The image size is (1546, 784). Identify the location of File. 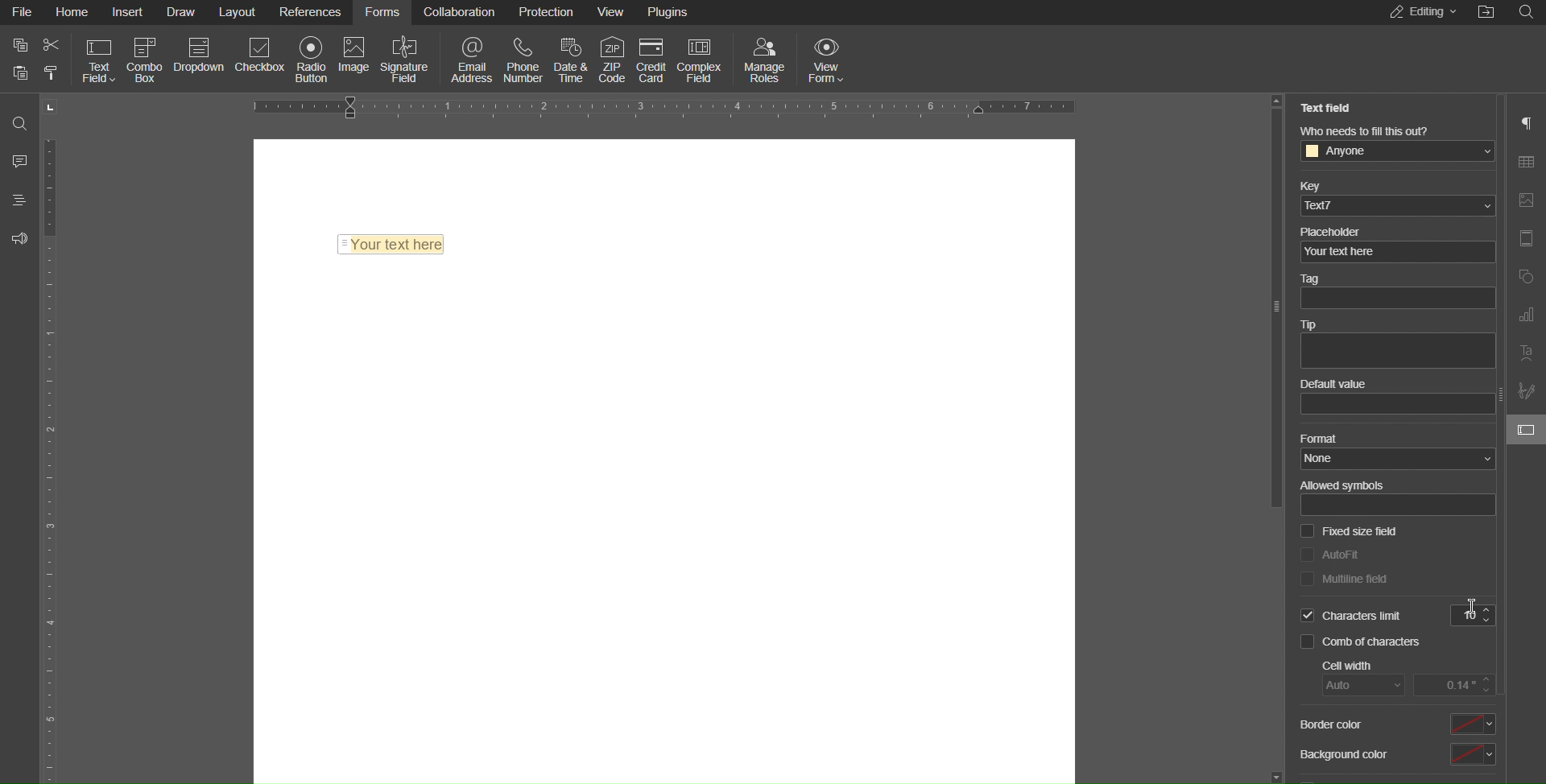
(20, 12).